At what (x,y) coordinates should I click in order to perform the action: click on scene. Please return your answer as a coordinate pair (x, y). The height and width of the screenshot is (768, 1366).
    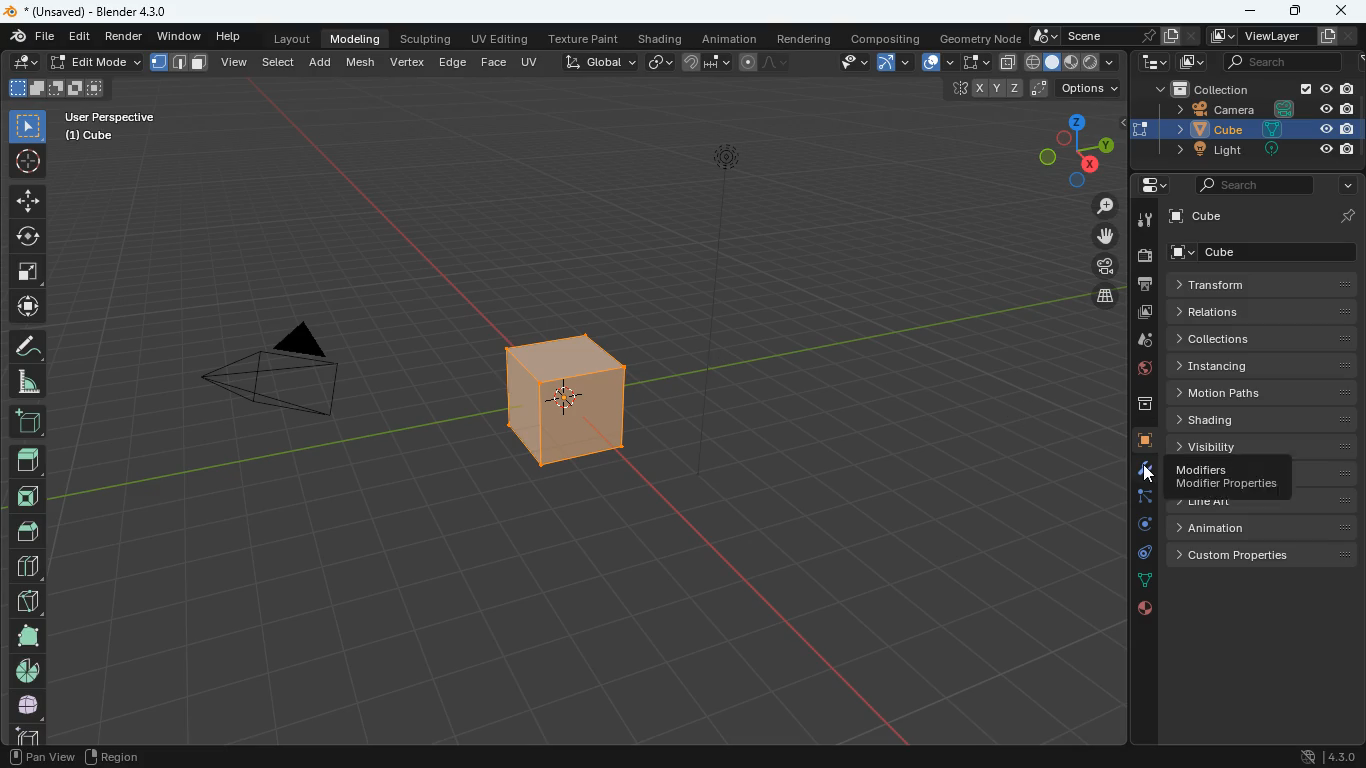
    Looking at the image, I should click on (1114, 34).